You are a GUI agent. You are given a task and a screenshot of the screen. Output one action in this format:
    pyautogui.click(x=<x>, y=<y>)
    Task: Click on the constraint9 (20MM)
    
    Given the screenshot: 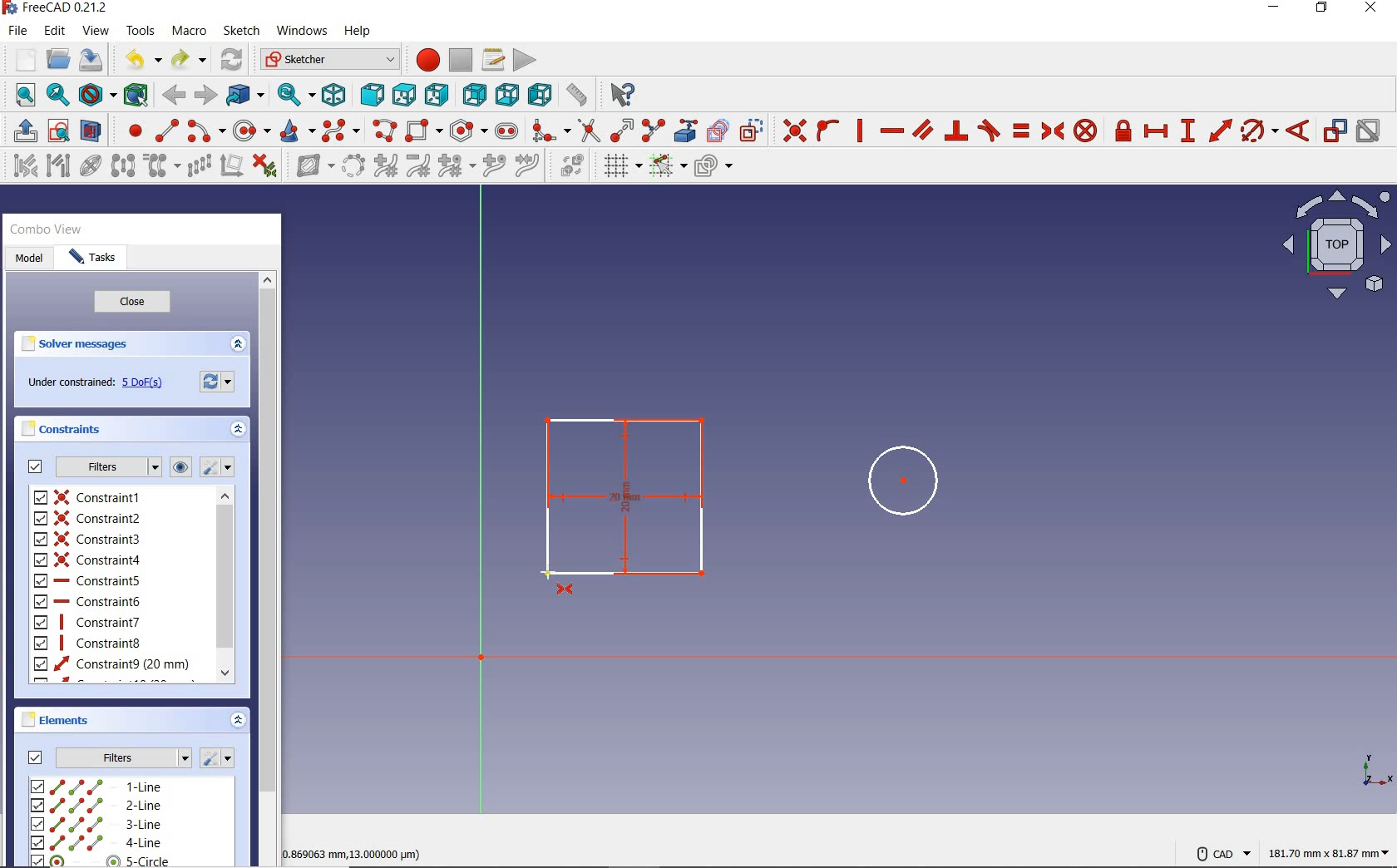 What is the action you would take?
    pyautogui.click(x=111, y=664)
    